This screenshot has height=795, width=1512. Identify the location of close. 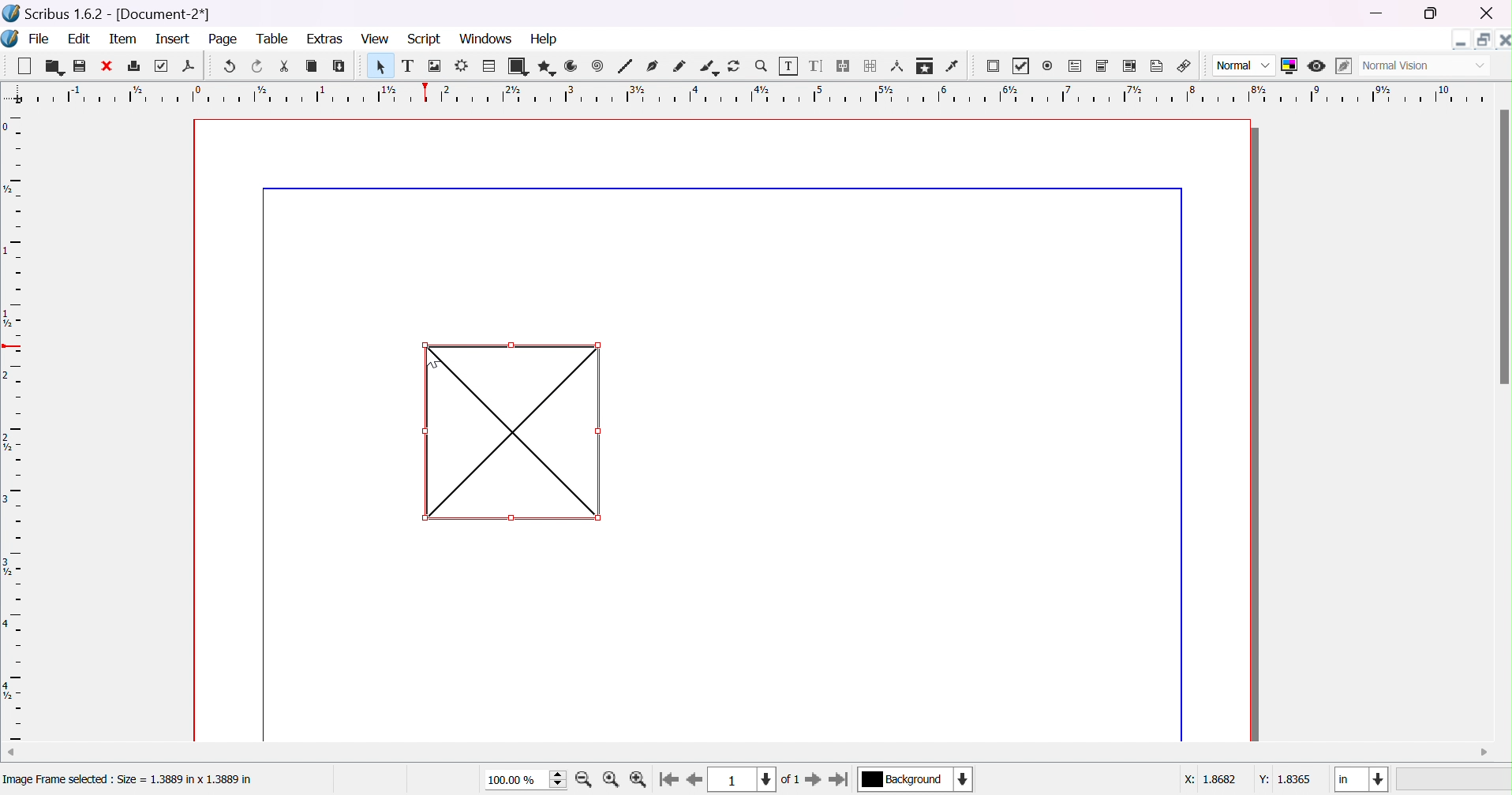
(105, 66).